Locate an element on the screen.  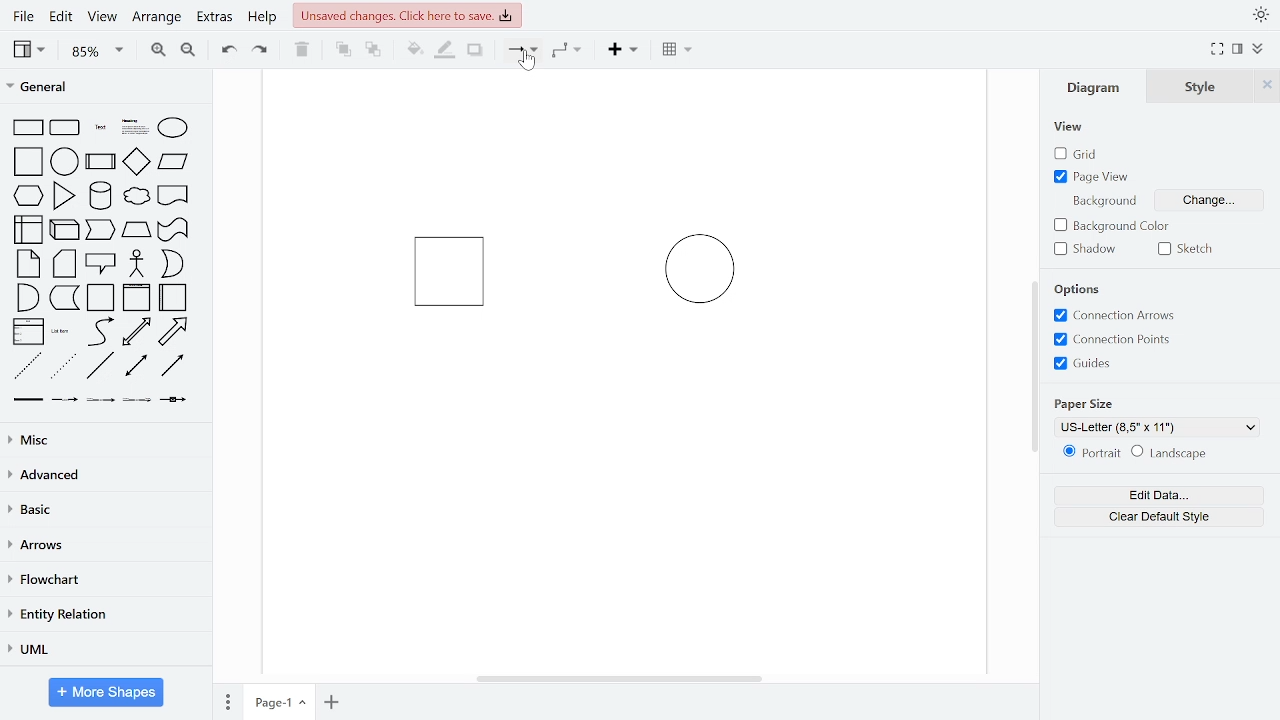
Vertical scrollbar is located at coordinates (1037, 369).